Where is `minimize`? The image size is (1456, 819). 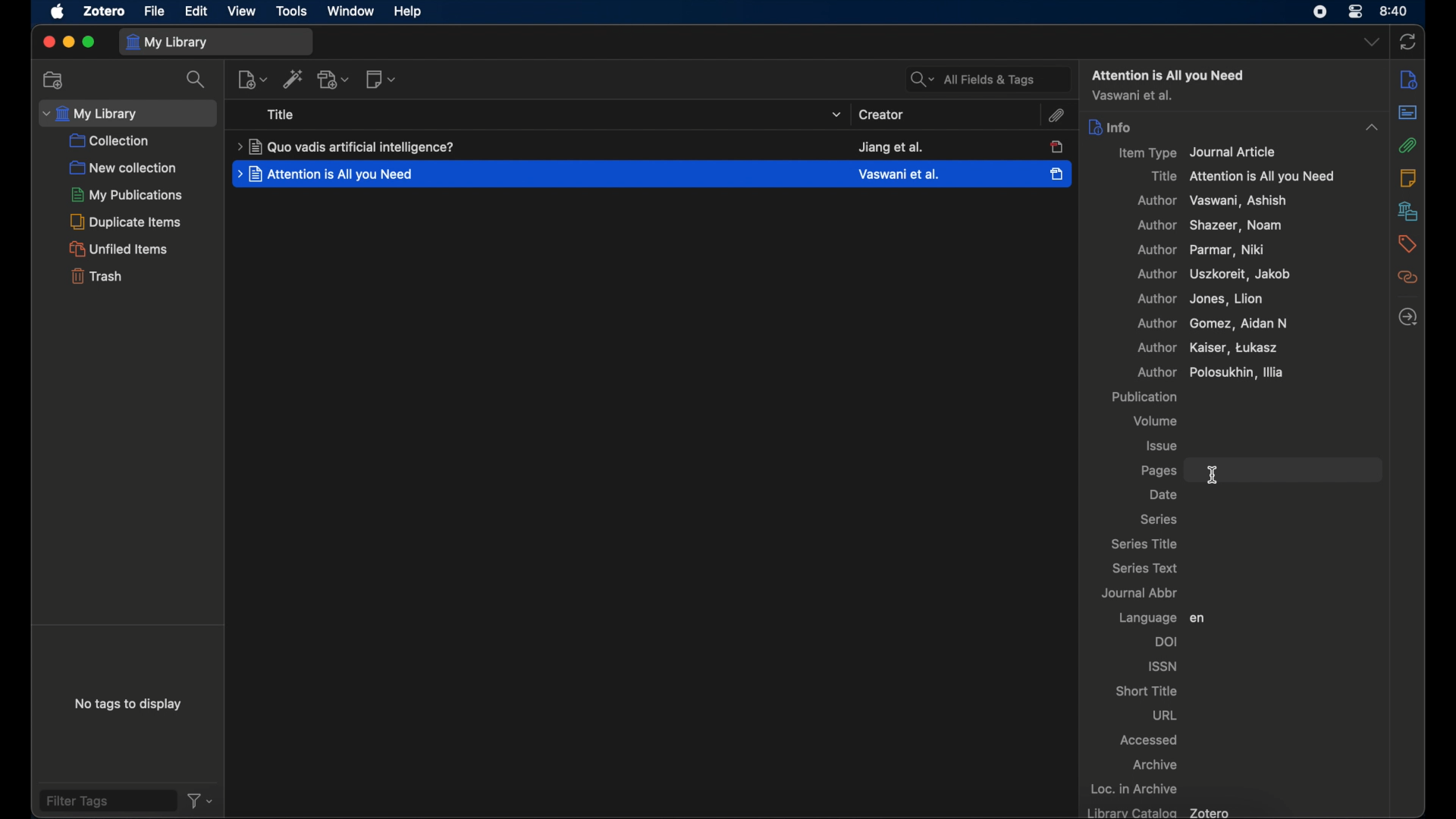 minimize is located at coordinates (68, 41).